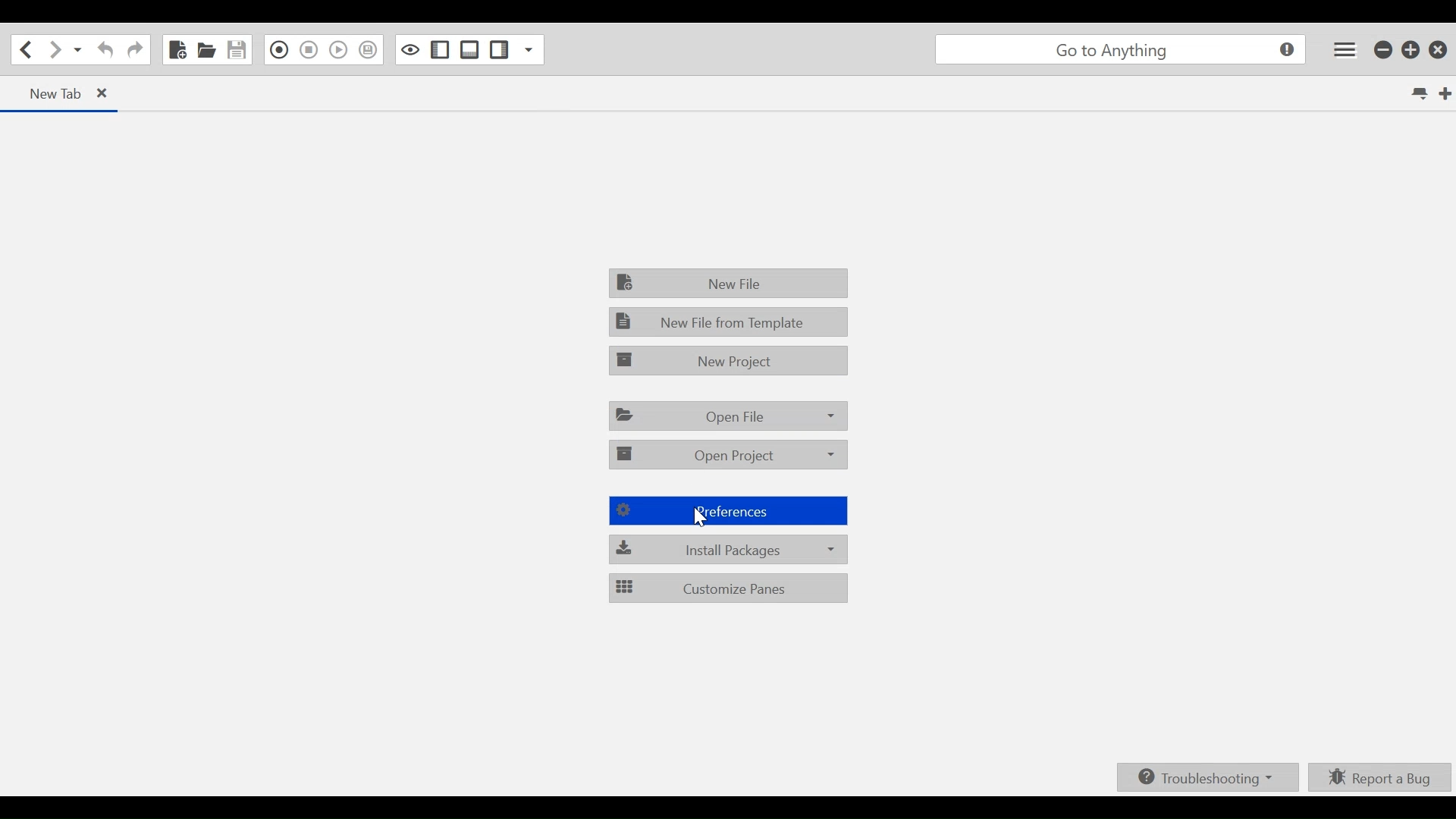 The image size is (1456, 819). What do you see at coordinates (726, 551) in the screenshot?
I see `Install packages` at bounding box center [726, 551].